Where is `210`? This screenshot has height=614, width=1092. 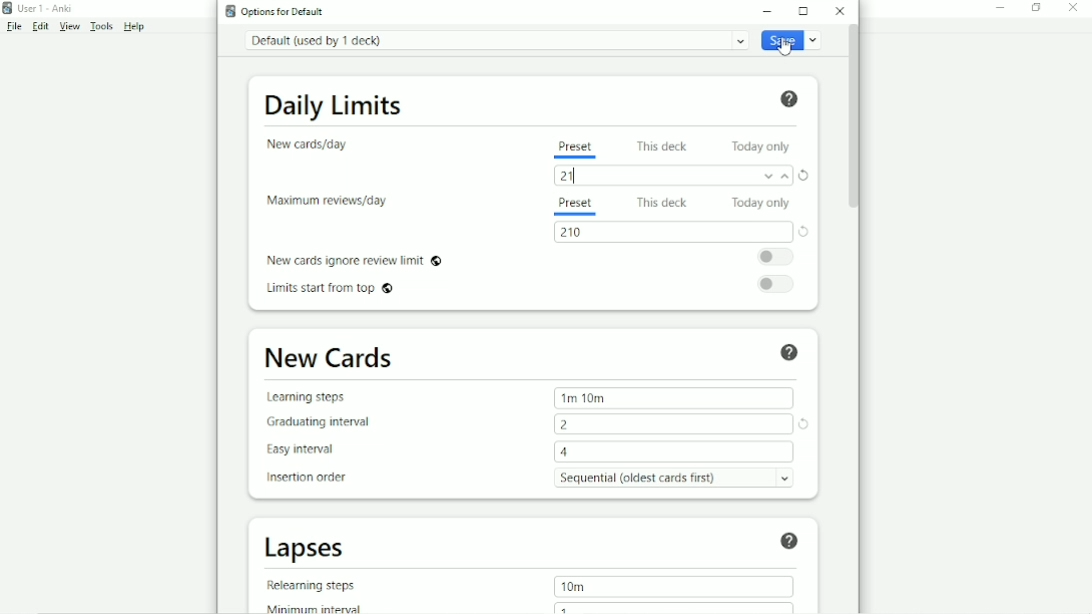
210 is located at coordinates (571, 234).